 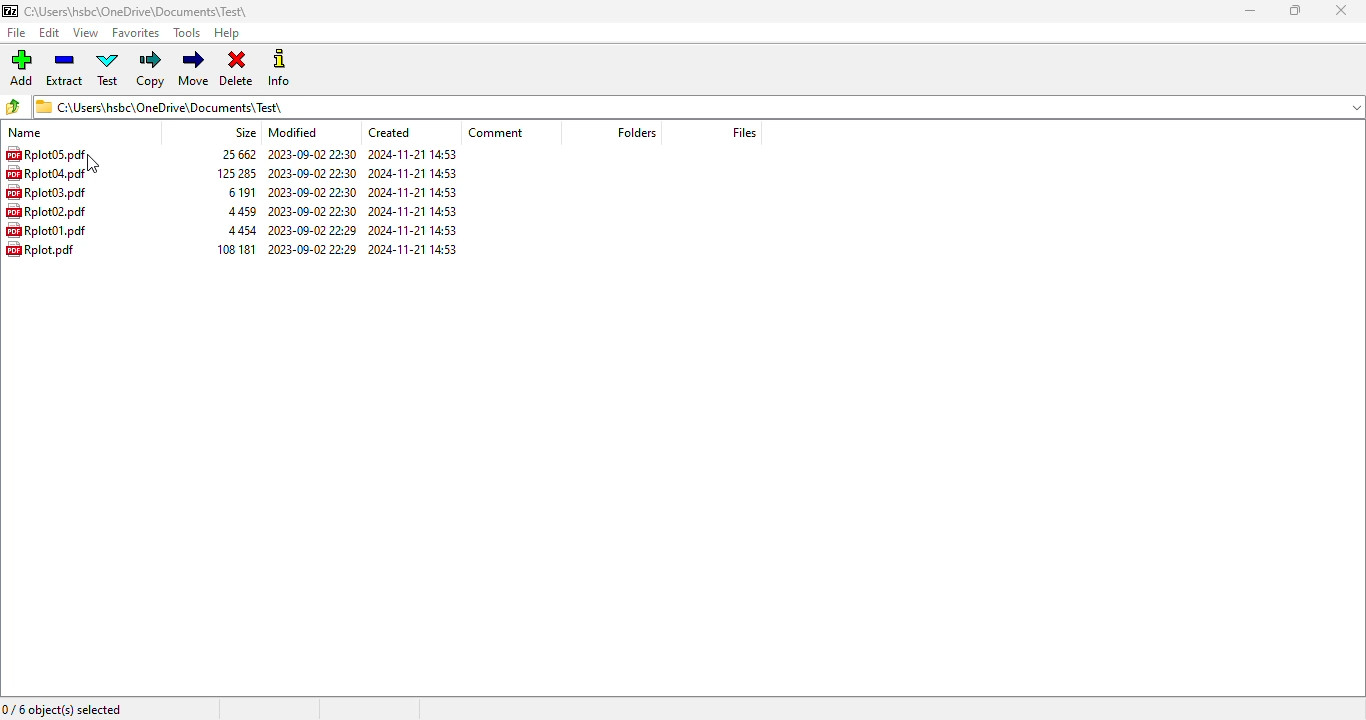 I want to click on browse folders, so click(x=15, y=106).